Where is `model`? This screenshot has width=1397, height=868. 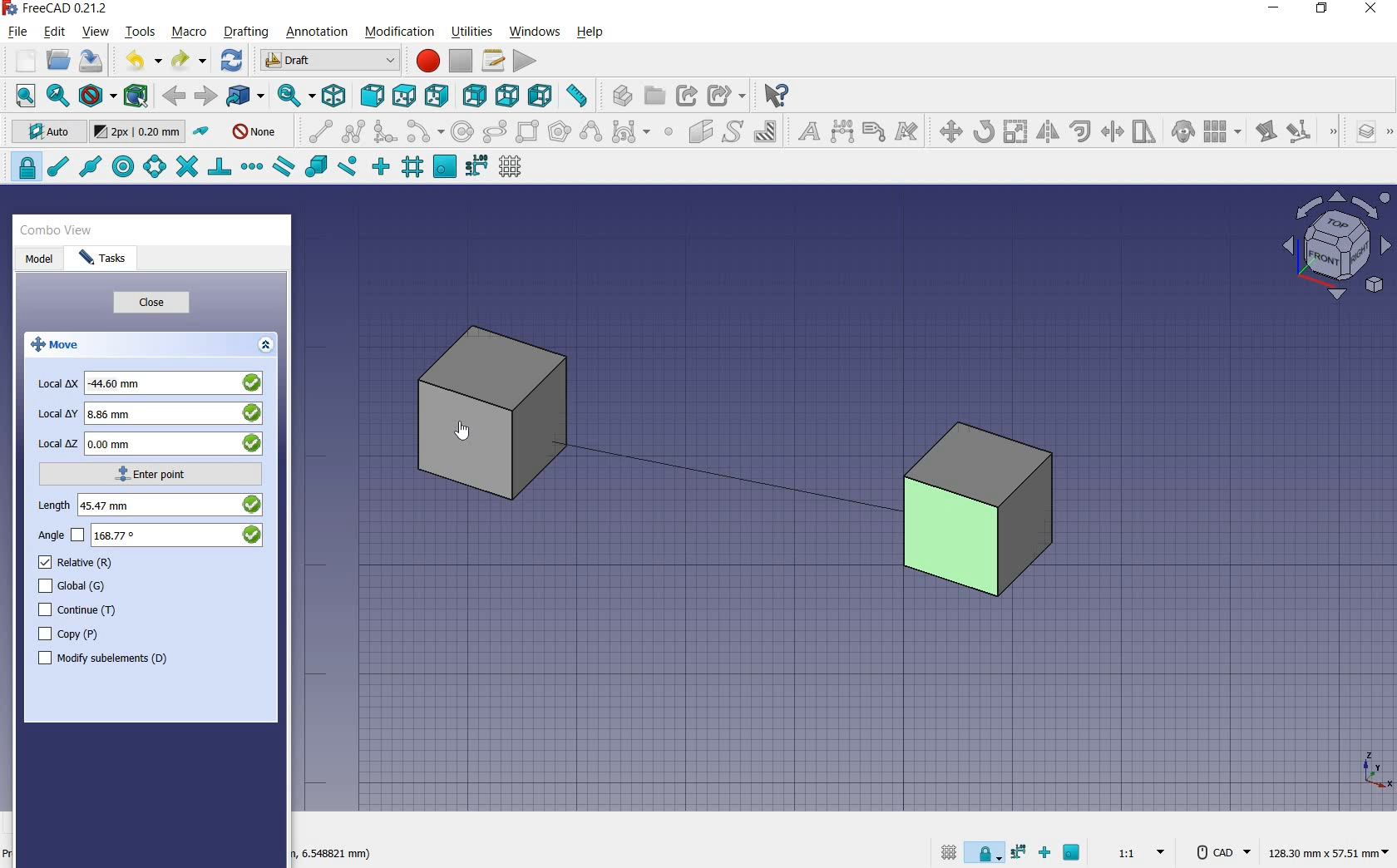 model is located at coordinates (38, 255).